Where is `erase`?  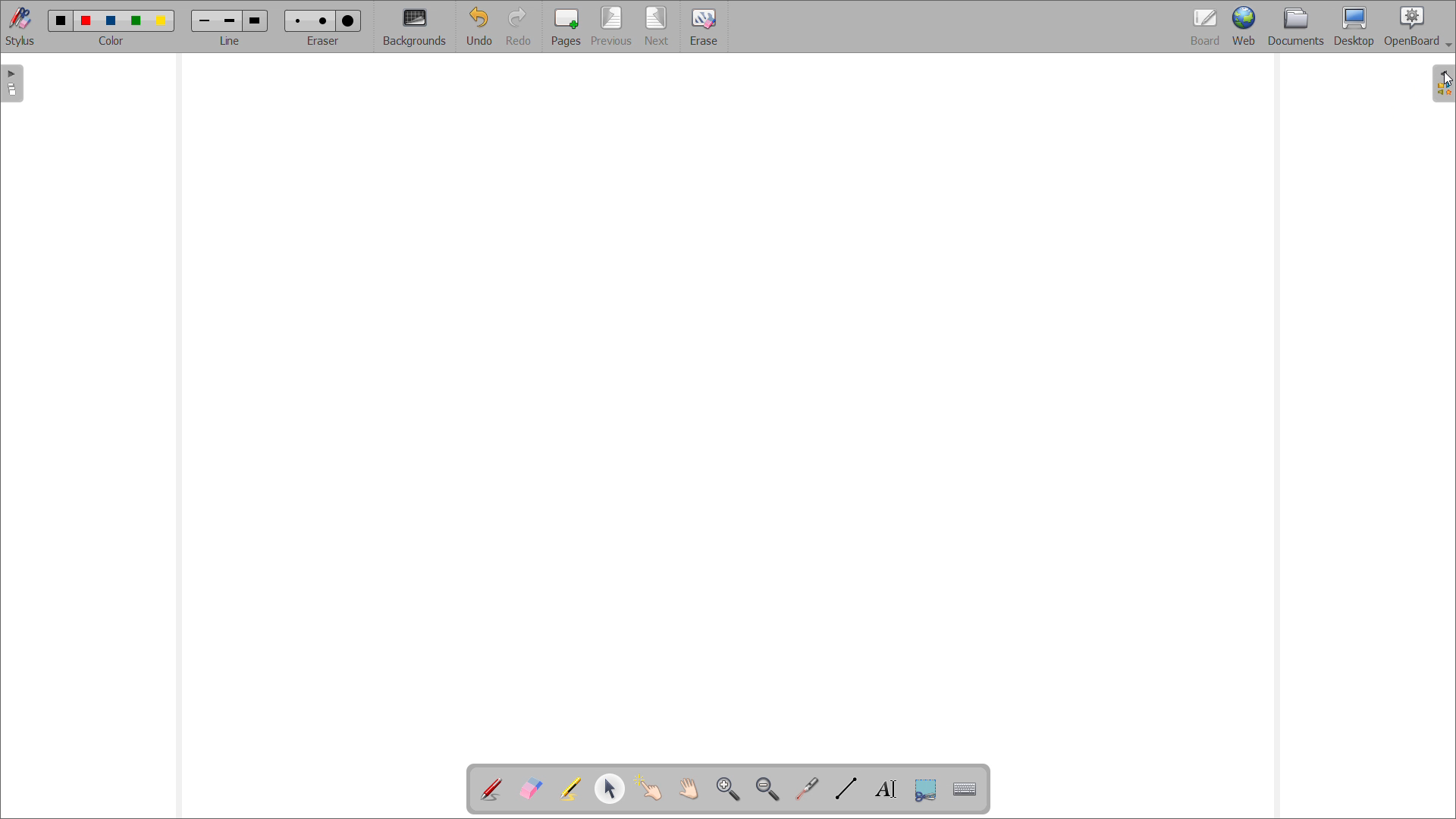 erase is located at coordinates (703, 26).